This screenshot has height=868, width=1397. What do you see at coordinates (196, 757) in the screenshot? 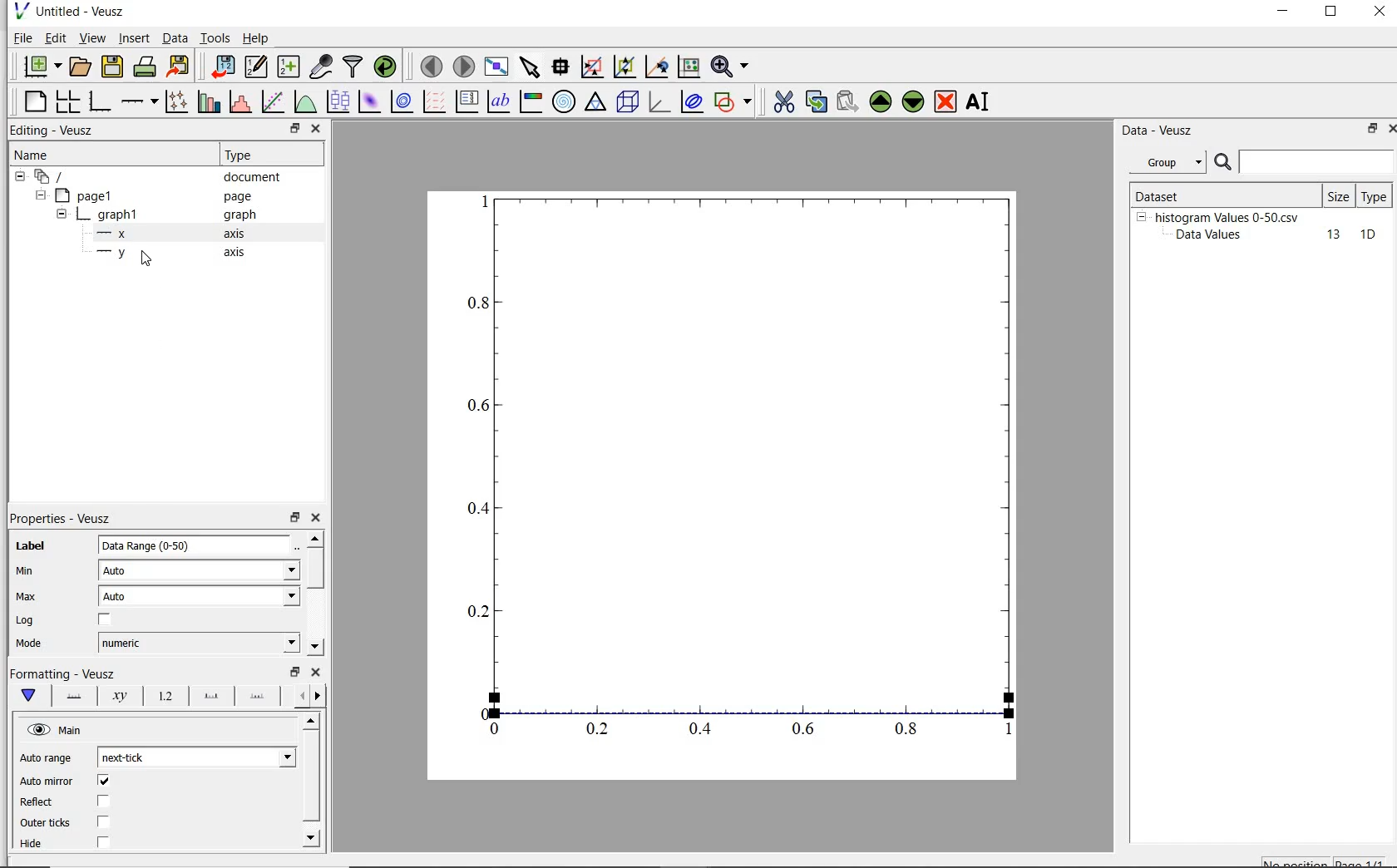
I see `next tick` at bounding box center [196, 757].